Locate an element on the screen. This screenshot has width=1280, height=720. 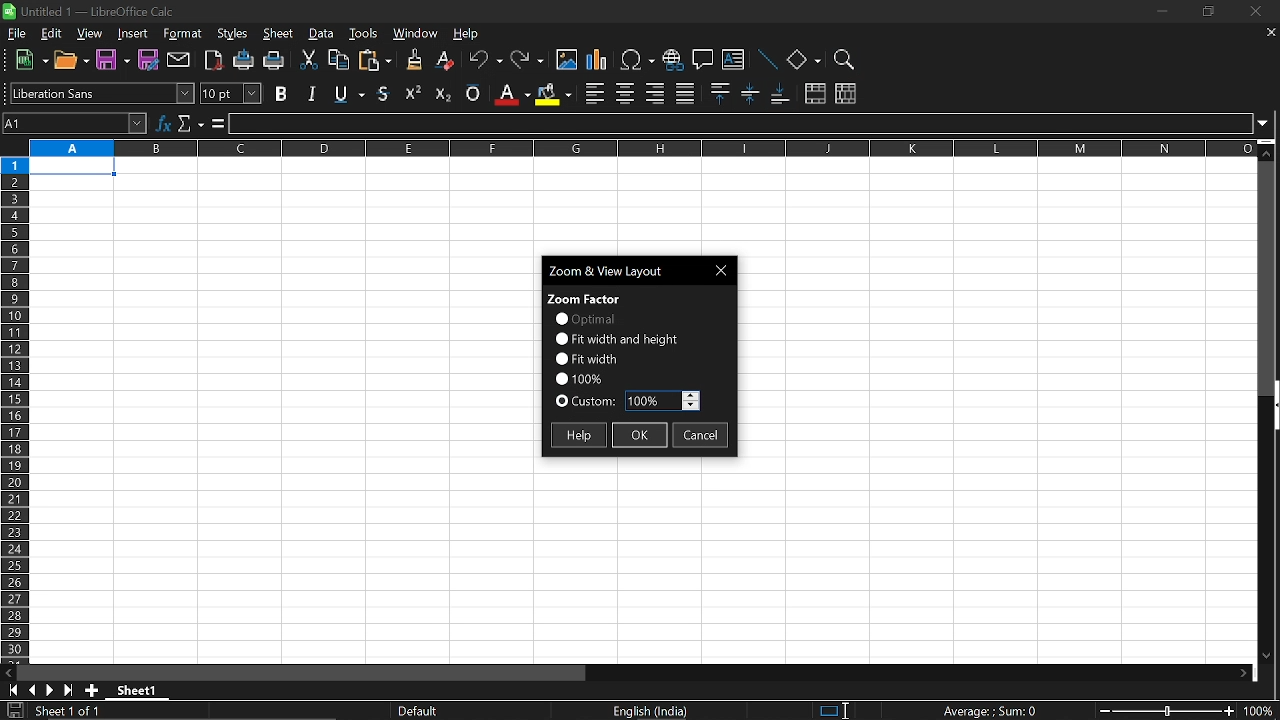
current formula is located at coordinates (990, 711).